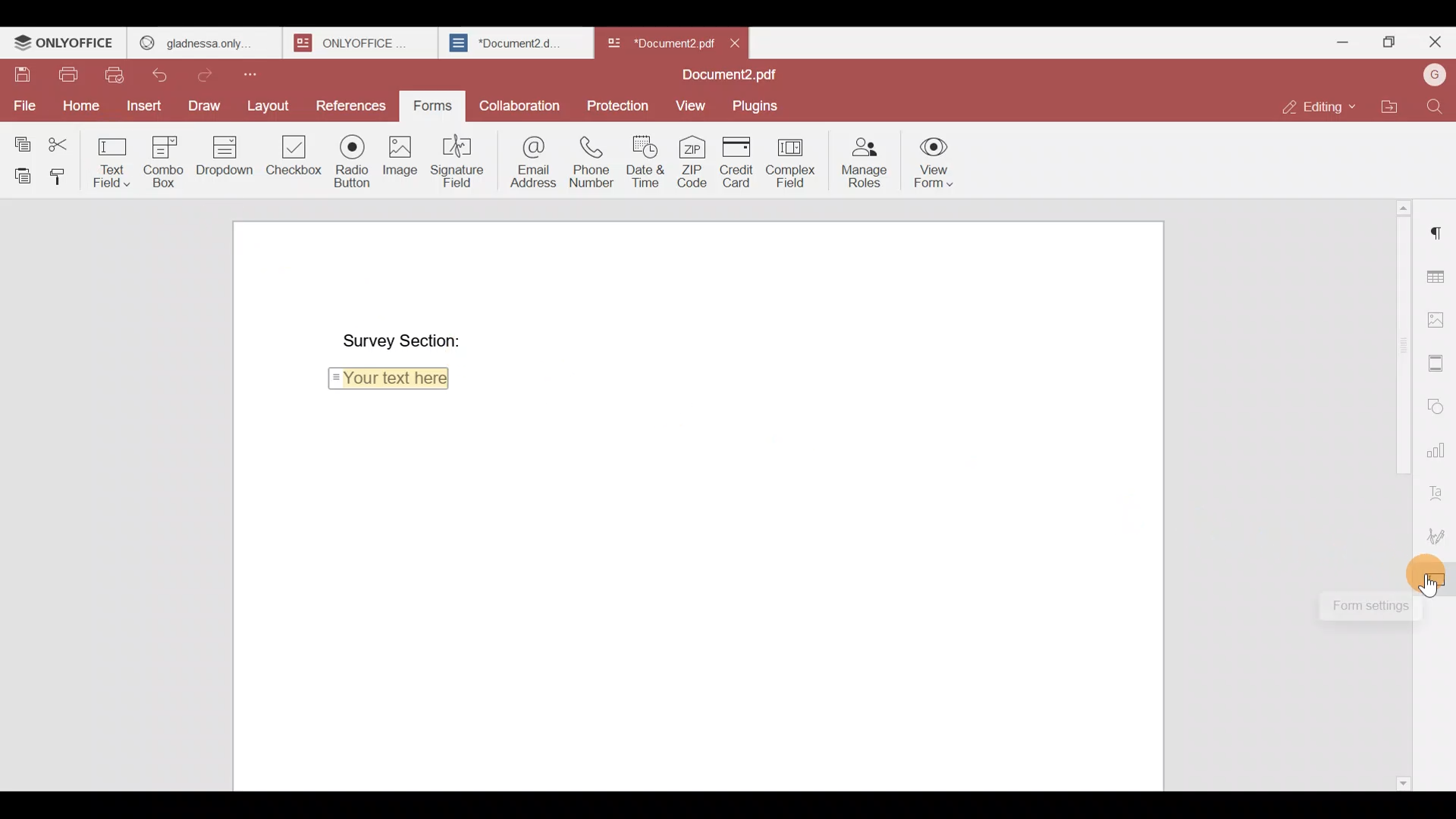 This screenshot has width=1456, height=819. What do you see at coordinates (1439, 227) in the screenshot?
I see `Paragraph settings` at bounding box center [1439, 227].